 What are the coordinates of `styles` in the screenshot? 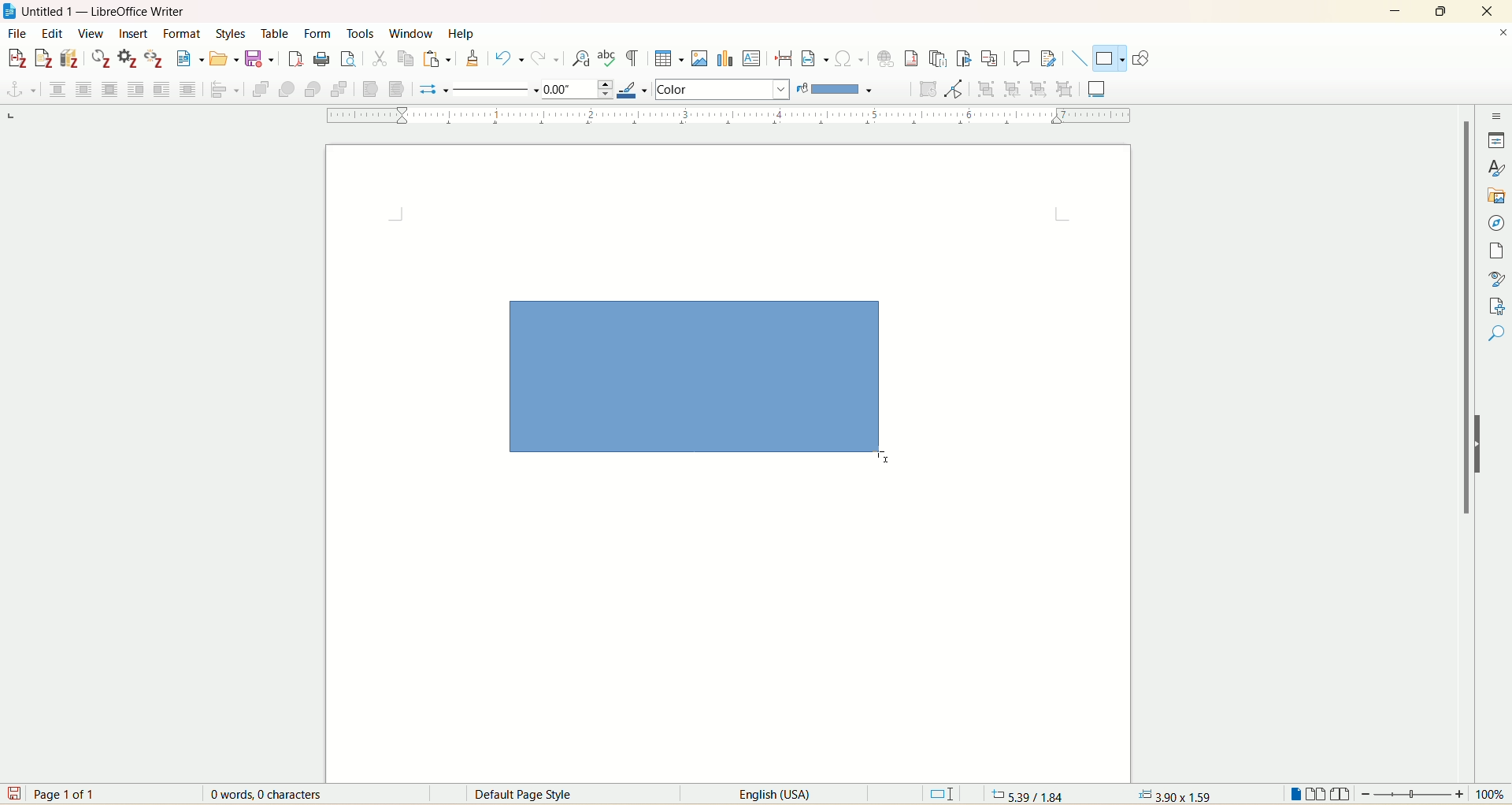 It's located at (1498, 167).